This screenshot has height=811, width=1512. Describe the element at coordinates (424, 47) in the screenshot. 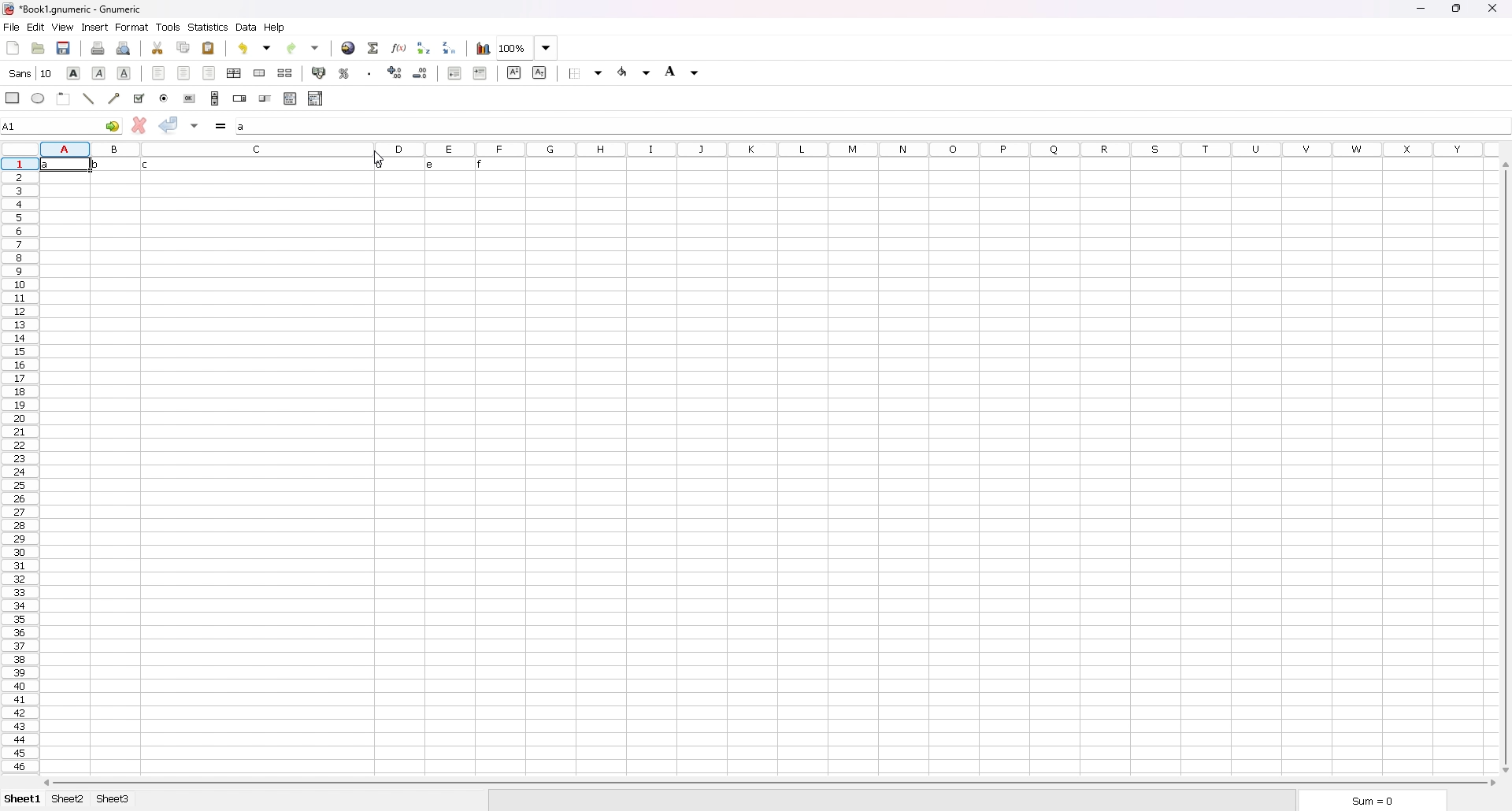

I see `sort ascending` at that location.